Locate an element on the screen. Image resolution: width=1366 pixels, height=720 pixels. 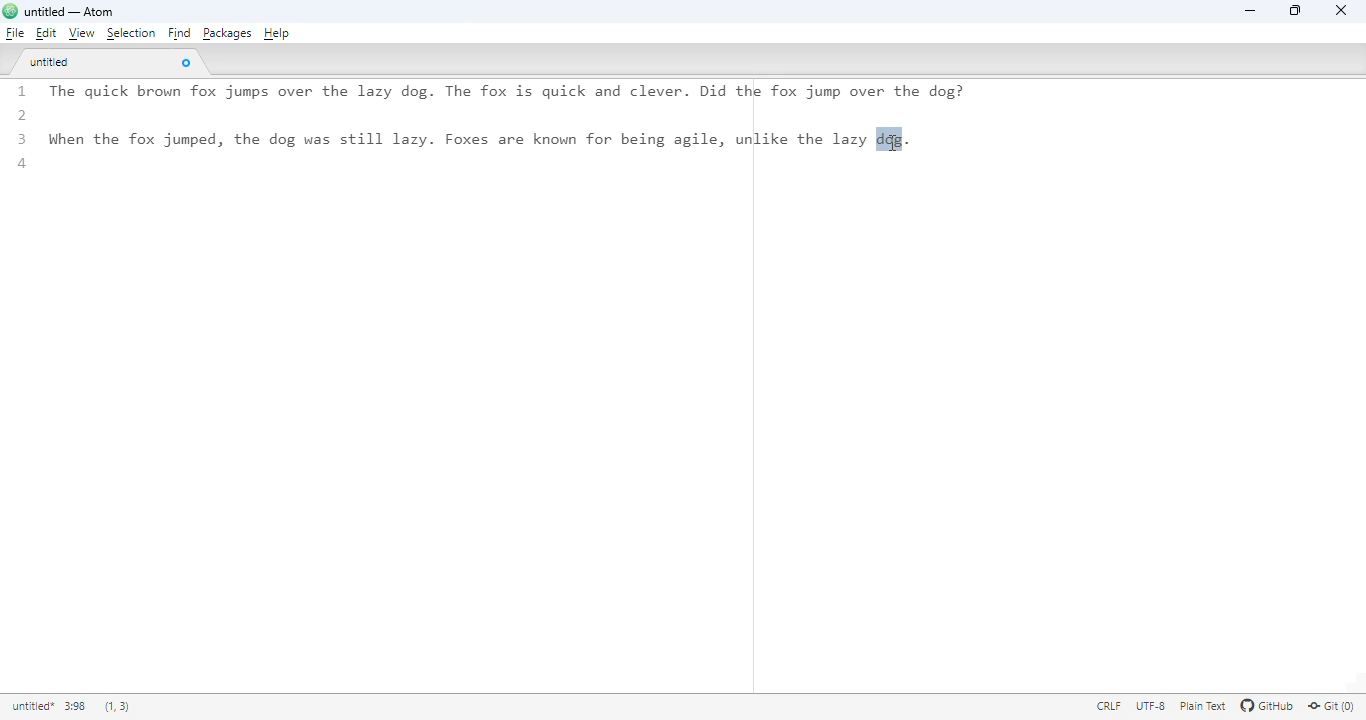
close tab is located at coordinates (187, 64).